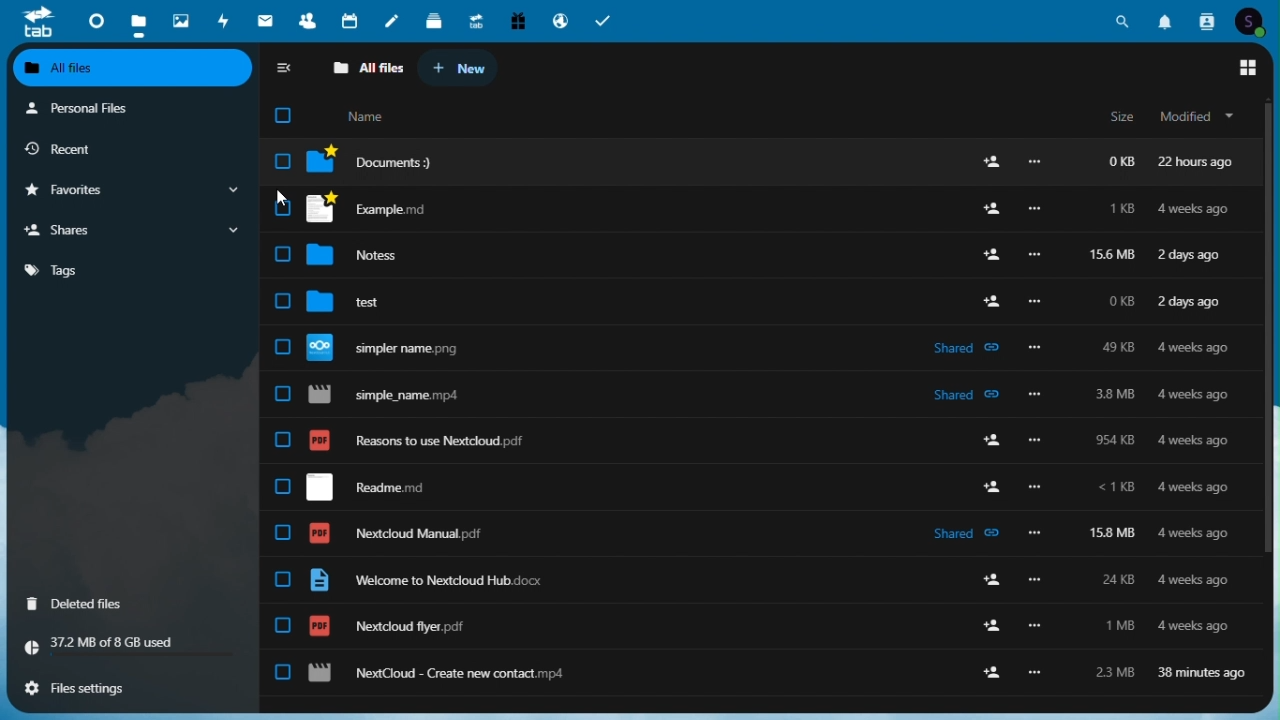  I want to click on size, so click(1120, 118).